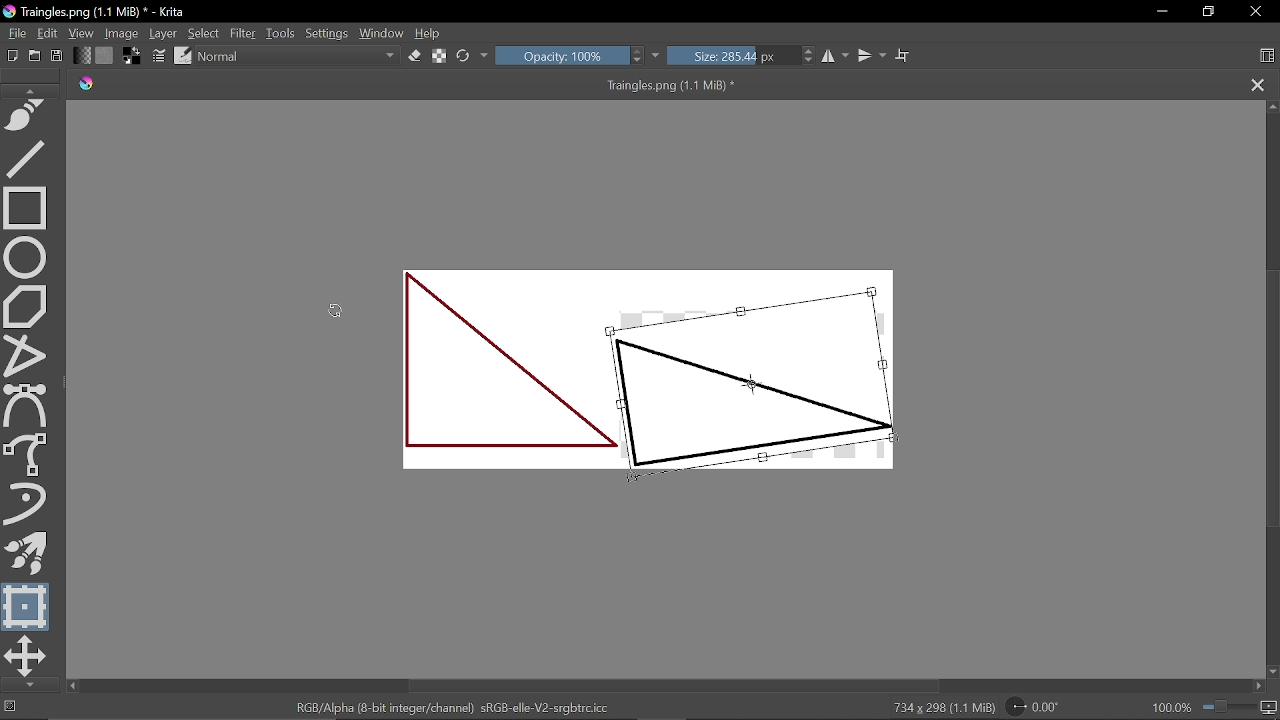 The width and height of the screenshot is (1280, 720). Describe the element at coordinates (1158, 11) in the screenshot. I see `Minimize` at that location.